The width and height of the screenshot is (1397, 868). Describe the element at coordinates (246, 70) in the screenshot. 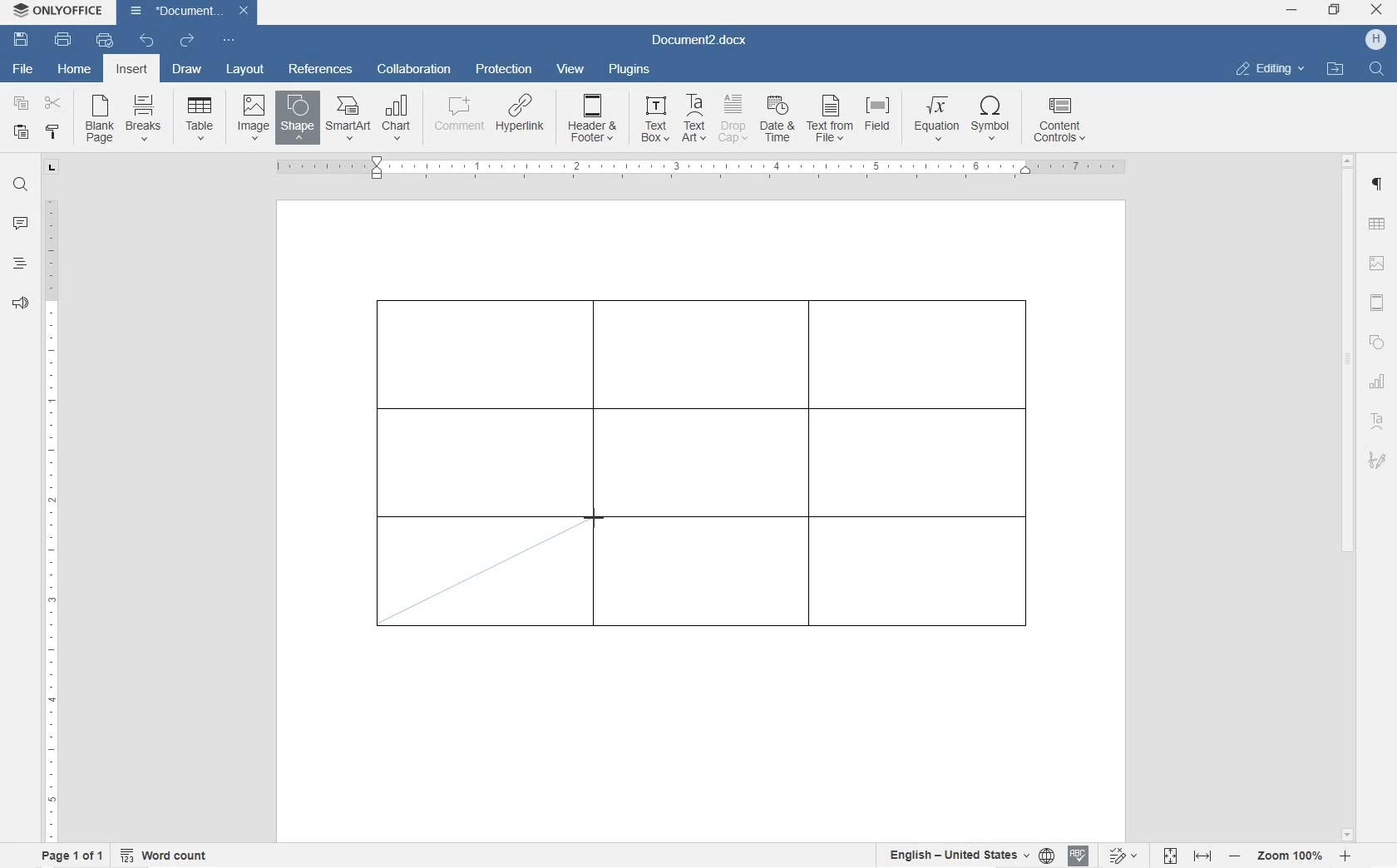

I see `layout` at that location.